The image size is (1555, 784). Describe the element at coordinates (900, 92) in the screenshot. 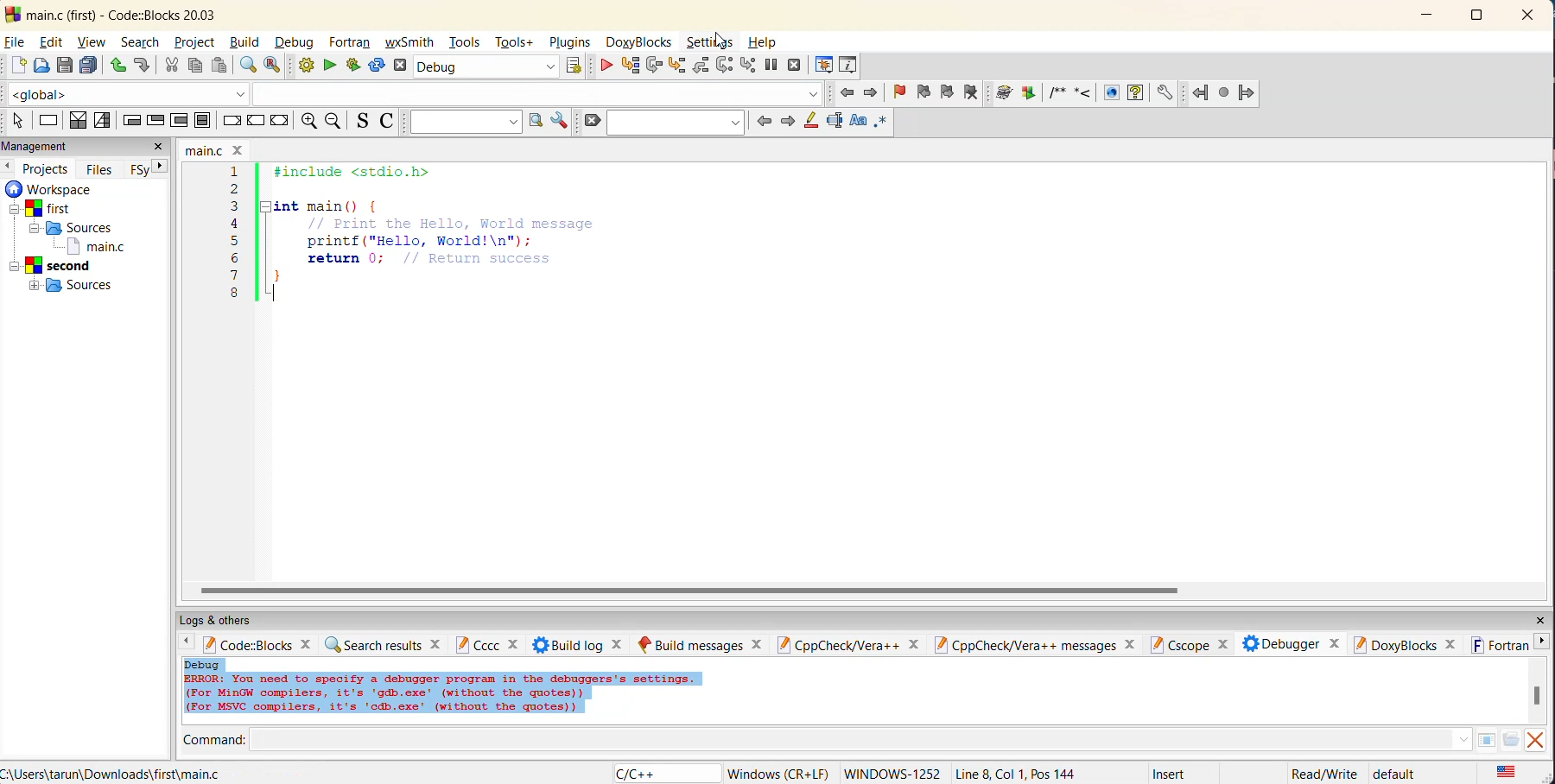

I see `toggle bookmarks` at that location.